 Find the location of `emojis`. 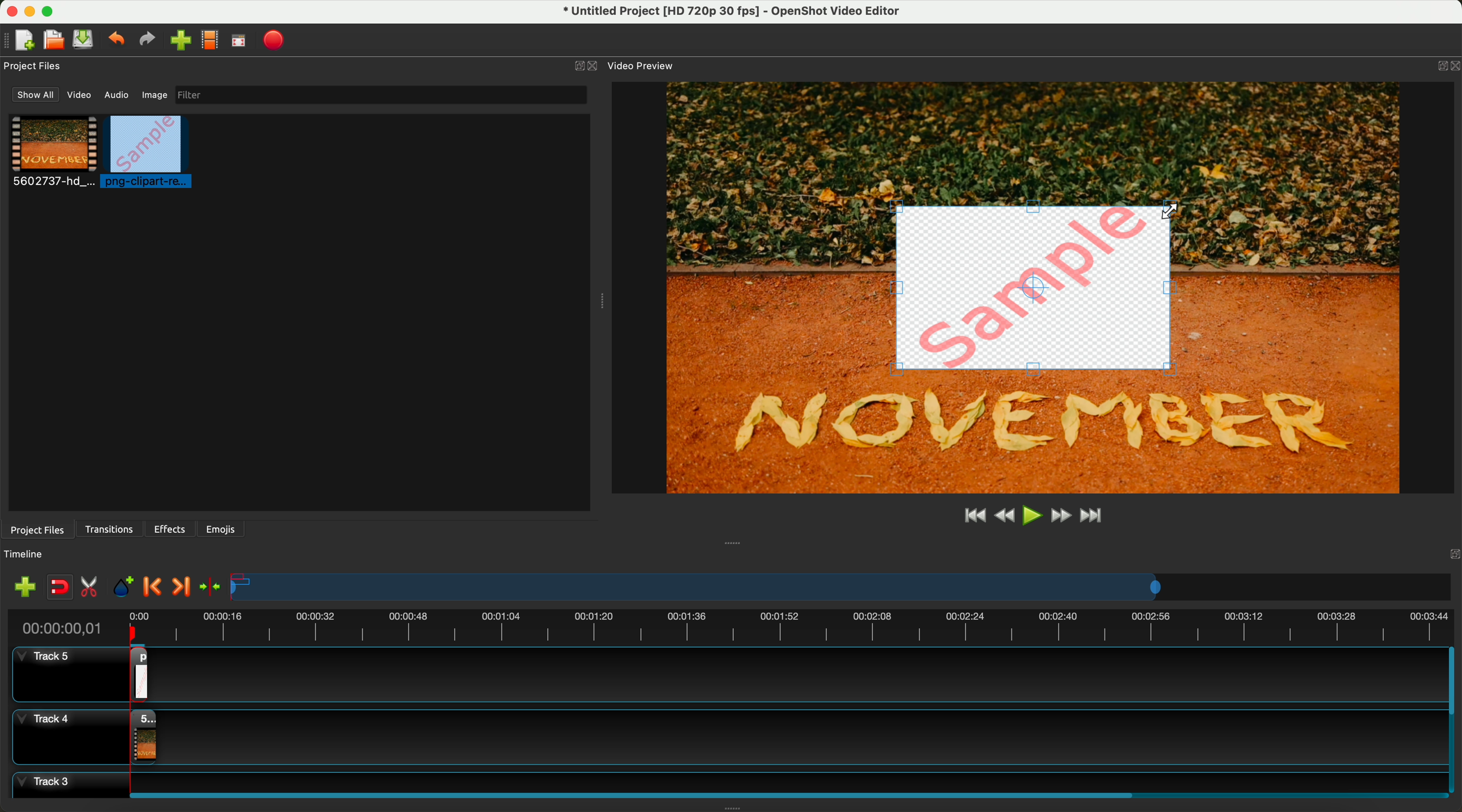

emojis is located at coordinates (221, 527).